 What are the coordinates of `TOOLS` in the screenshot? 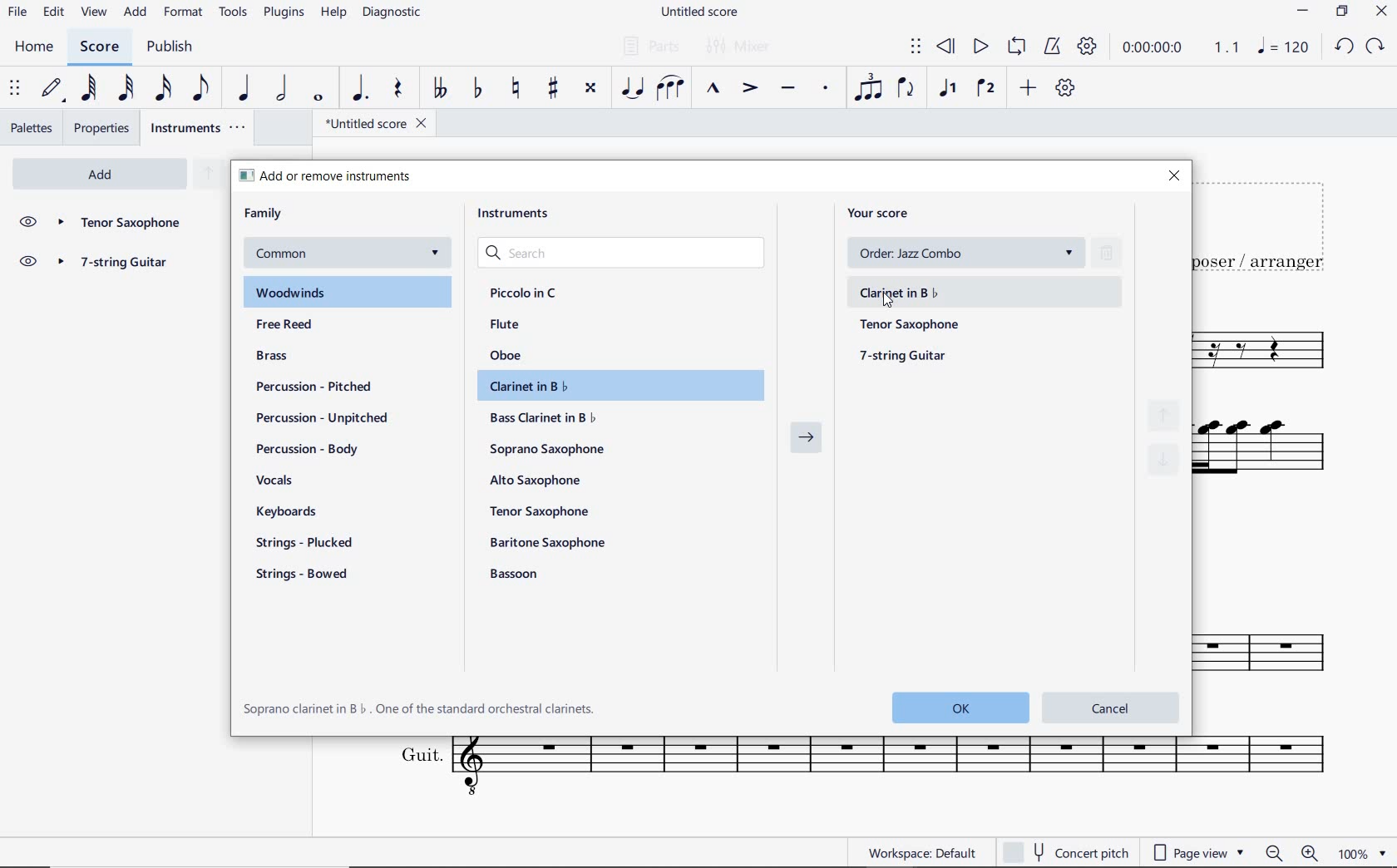 It's located at (234, 11).